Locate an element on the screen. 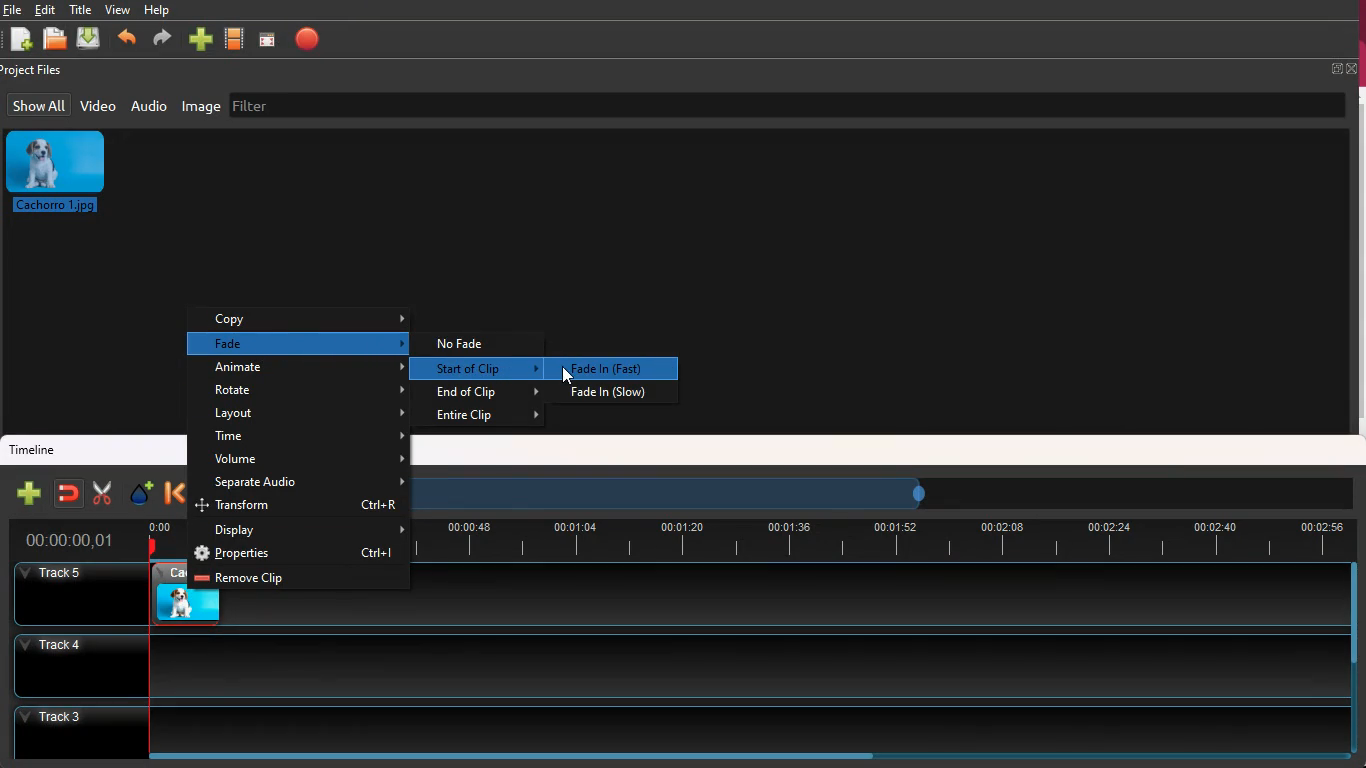 This screenshot has width=1366, height=768. screen is located at coordinates (271, 39).